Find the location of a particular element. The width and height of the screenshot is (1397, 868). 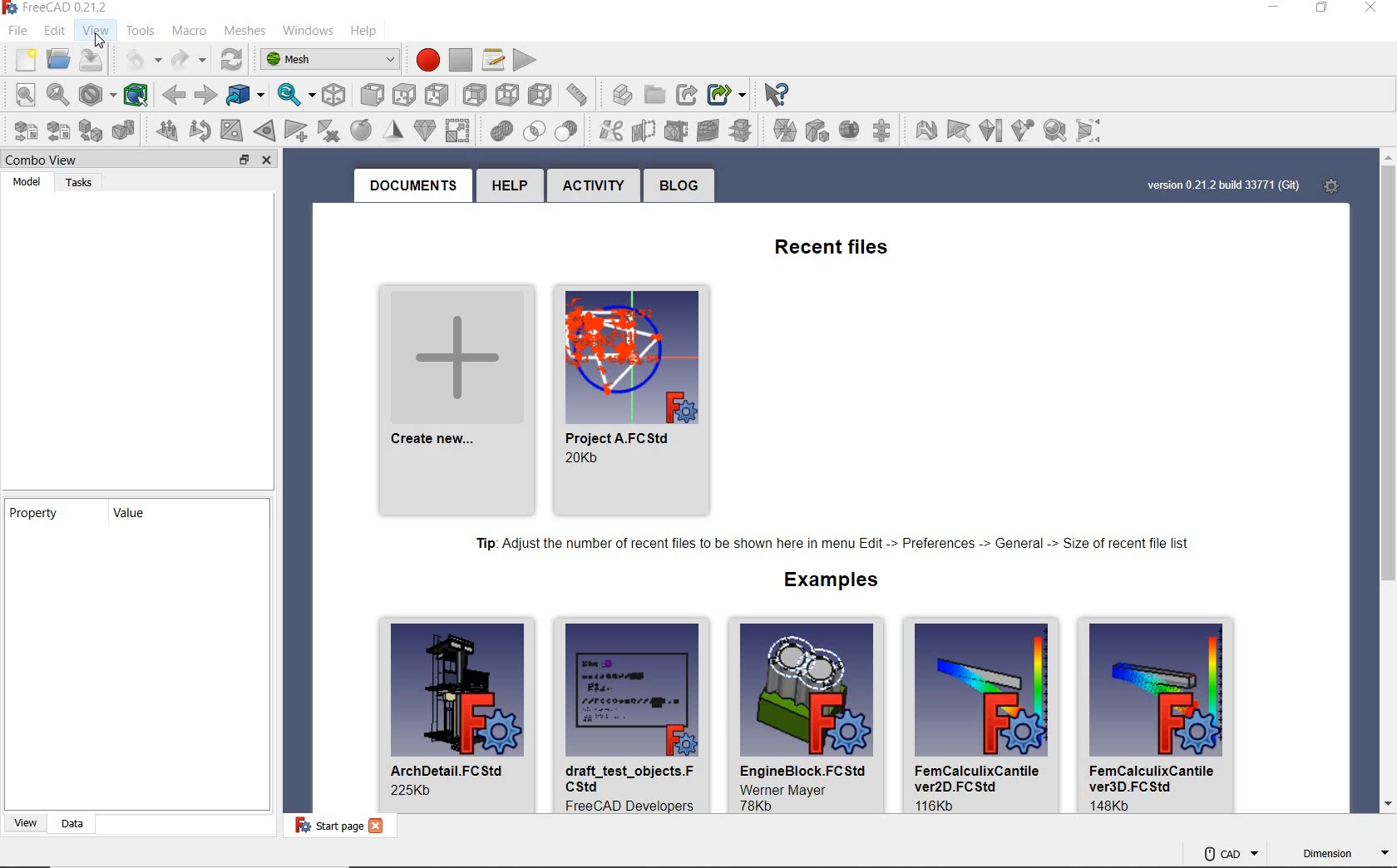

macros is located at coordinates (490, 57).